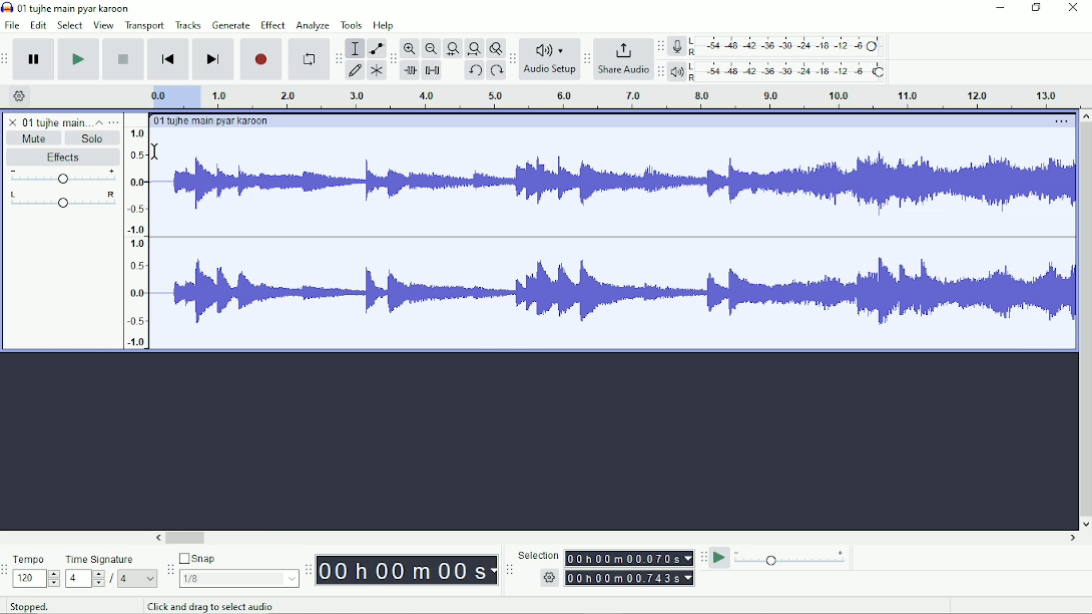  I want to click on Pan, so click(62, 201).